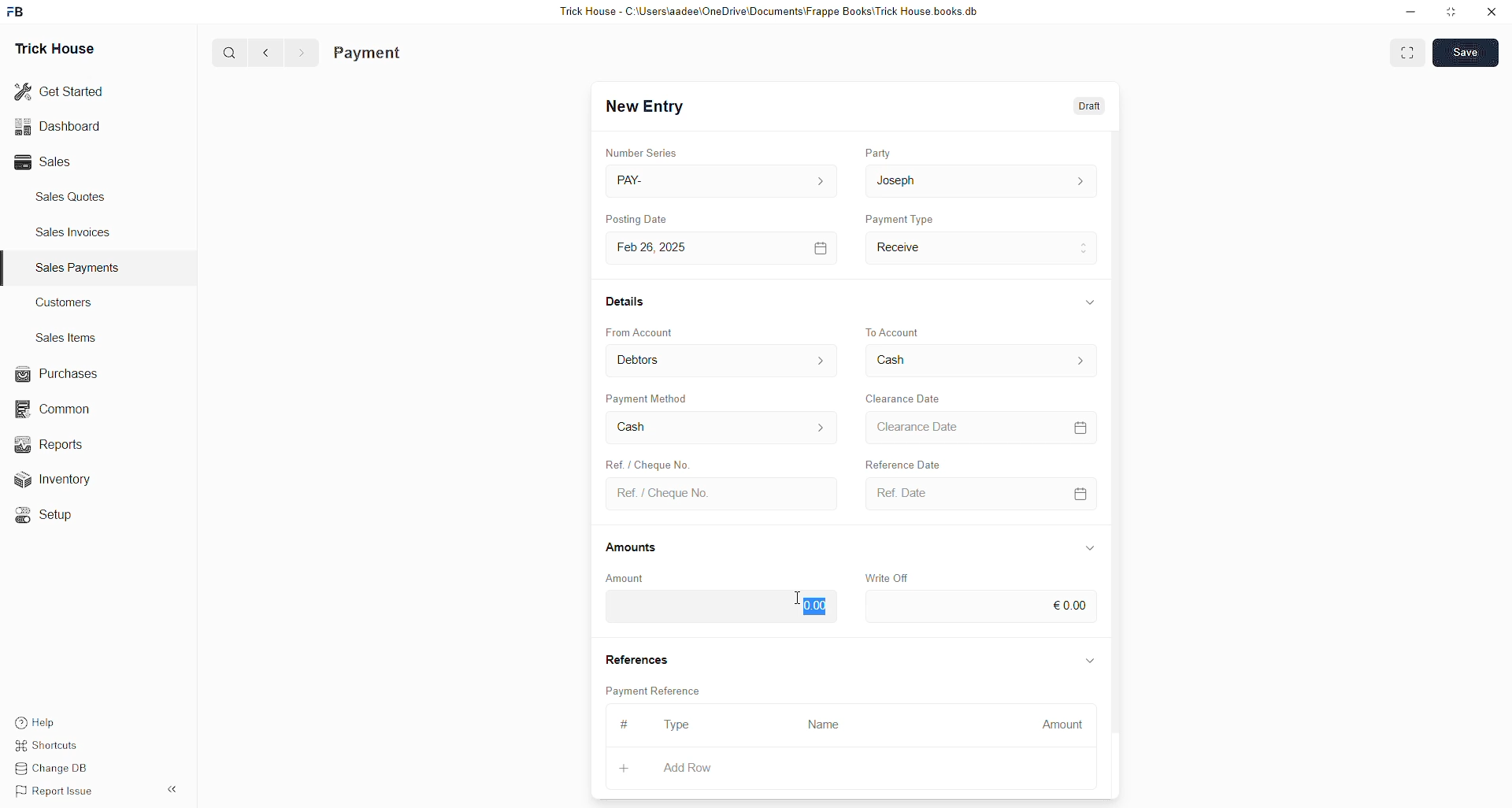 Image resolution: width=1512 pixels, height=808 pixels. Describe the element at coordinates (902, 462) in the screenshot. I see `Reference Date` at that location.